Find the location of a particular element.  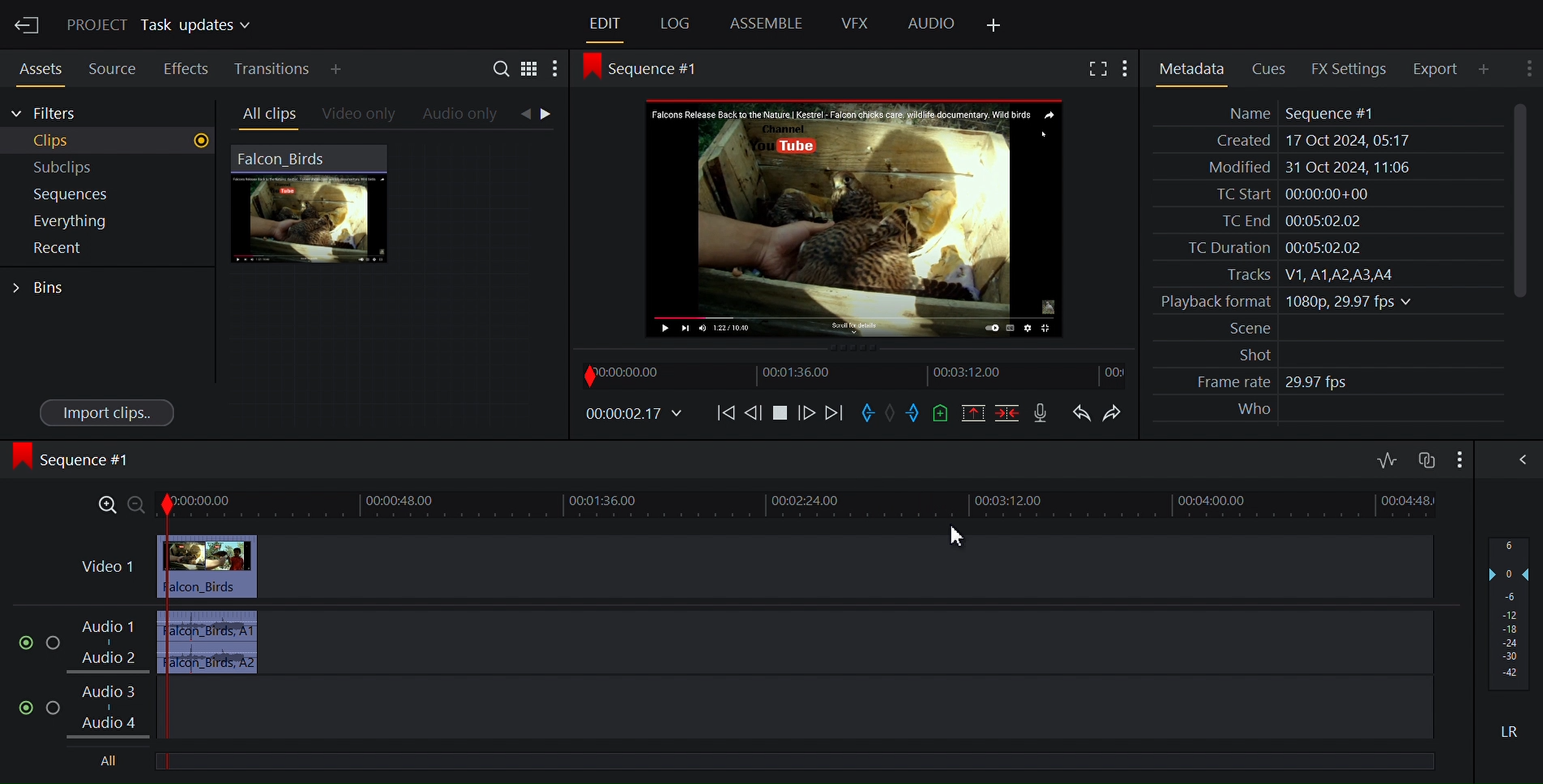

FX Settings is located at coordinates (1347, 68).